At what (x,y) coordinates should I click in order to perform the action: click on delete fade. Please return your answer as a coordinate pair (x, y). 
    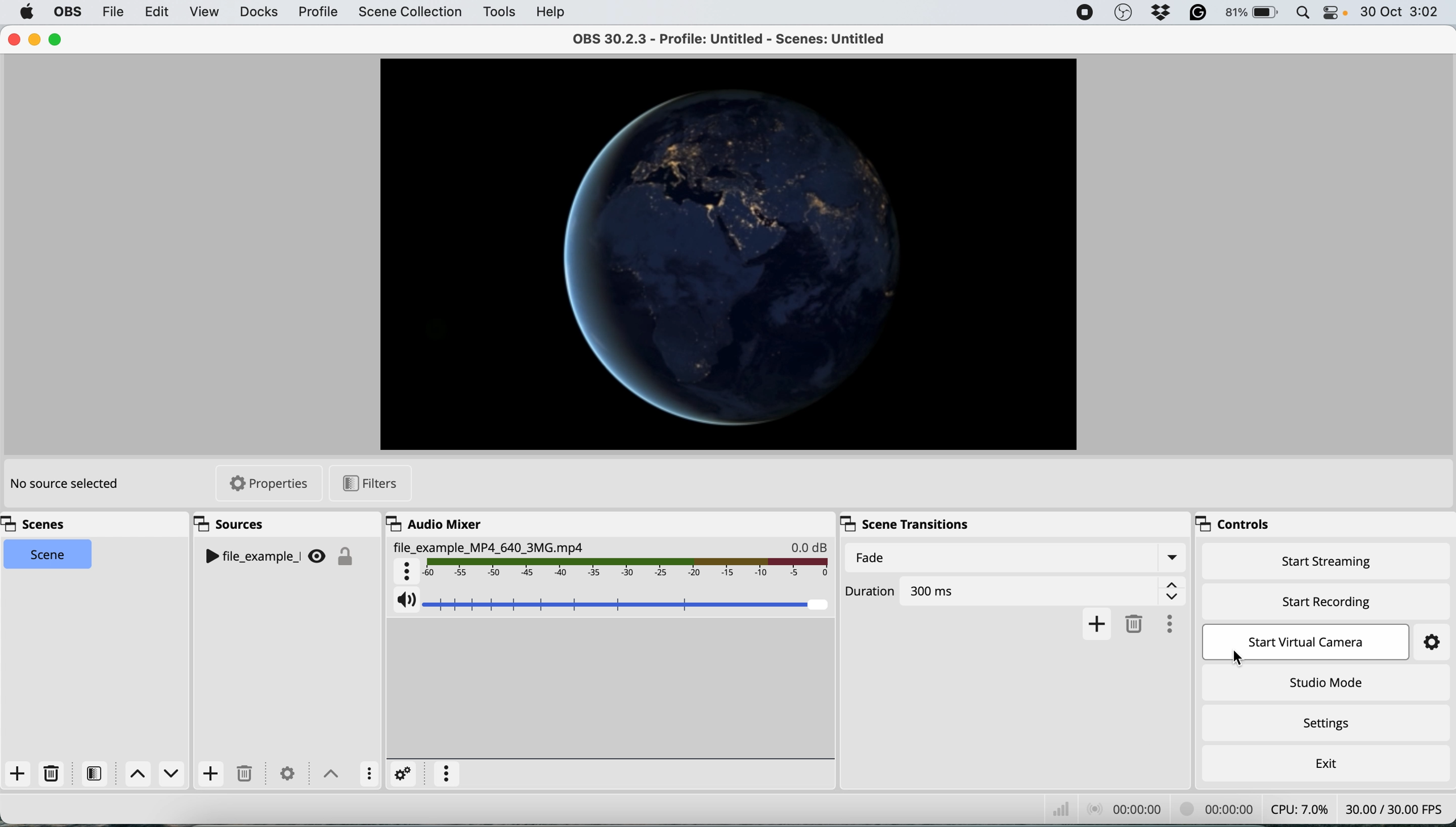
    Looking at the image, I should click on (1133, 623).